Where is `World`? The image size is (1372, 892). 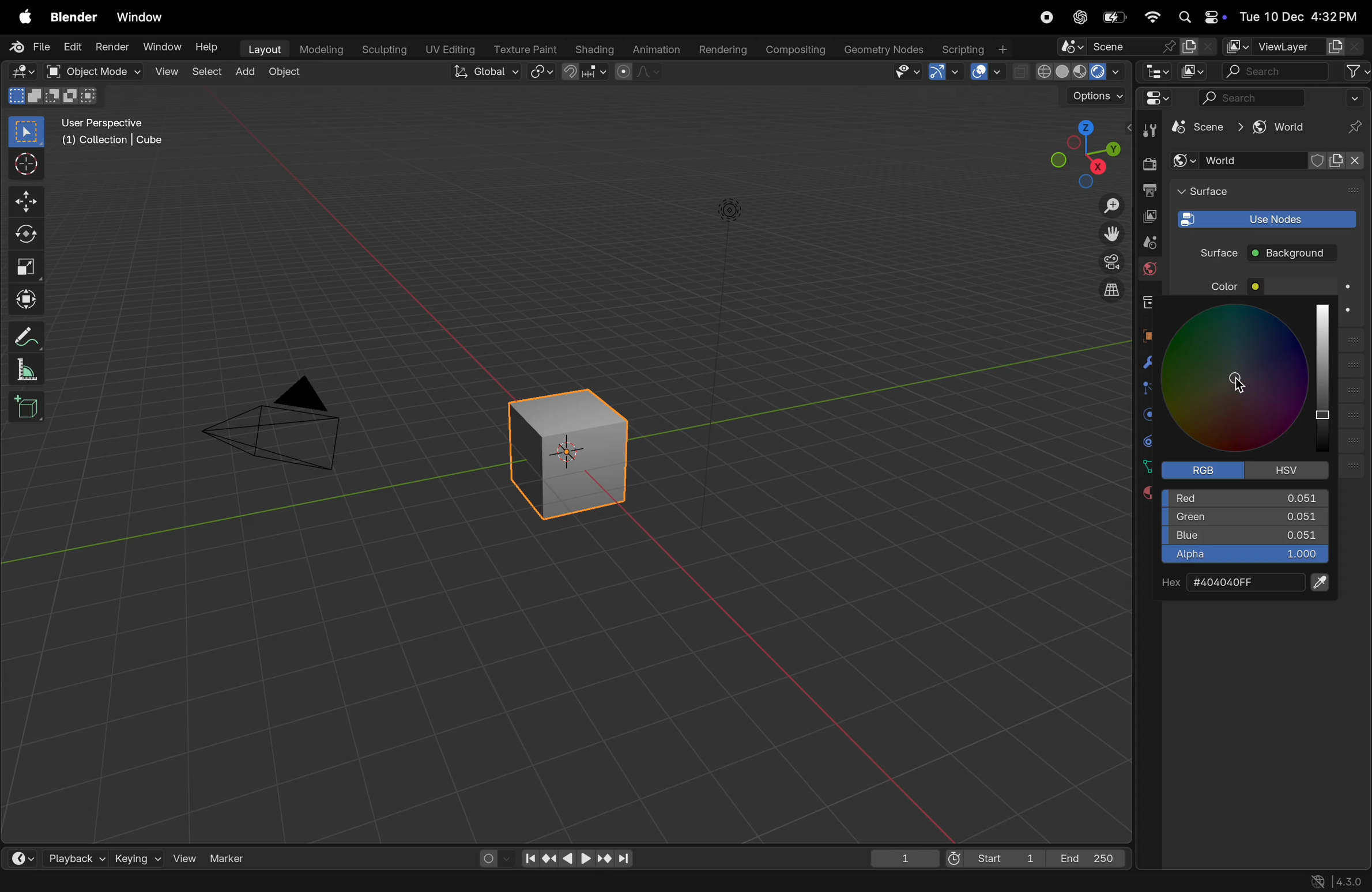 World is located at coordinates (1149, 271).